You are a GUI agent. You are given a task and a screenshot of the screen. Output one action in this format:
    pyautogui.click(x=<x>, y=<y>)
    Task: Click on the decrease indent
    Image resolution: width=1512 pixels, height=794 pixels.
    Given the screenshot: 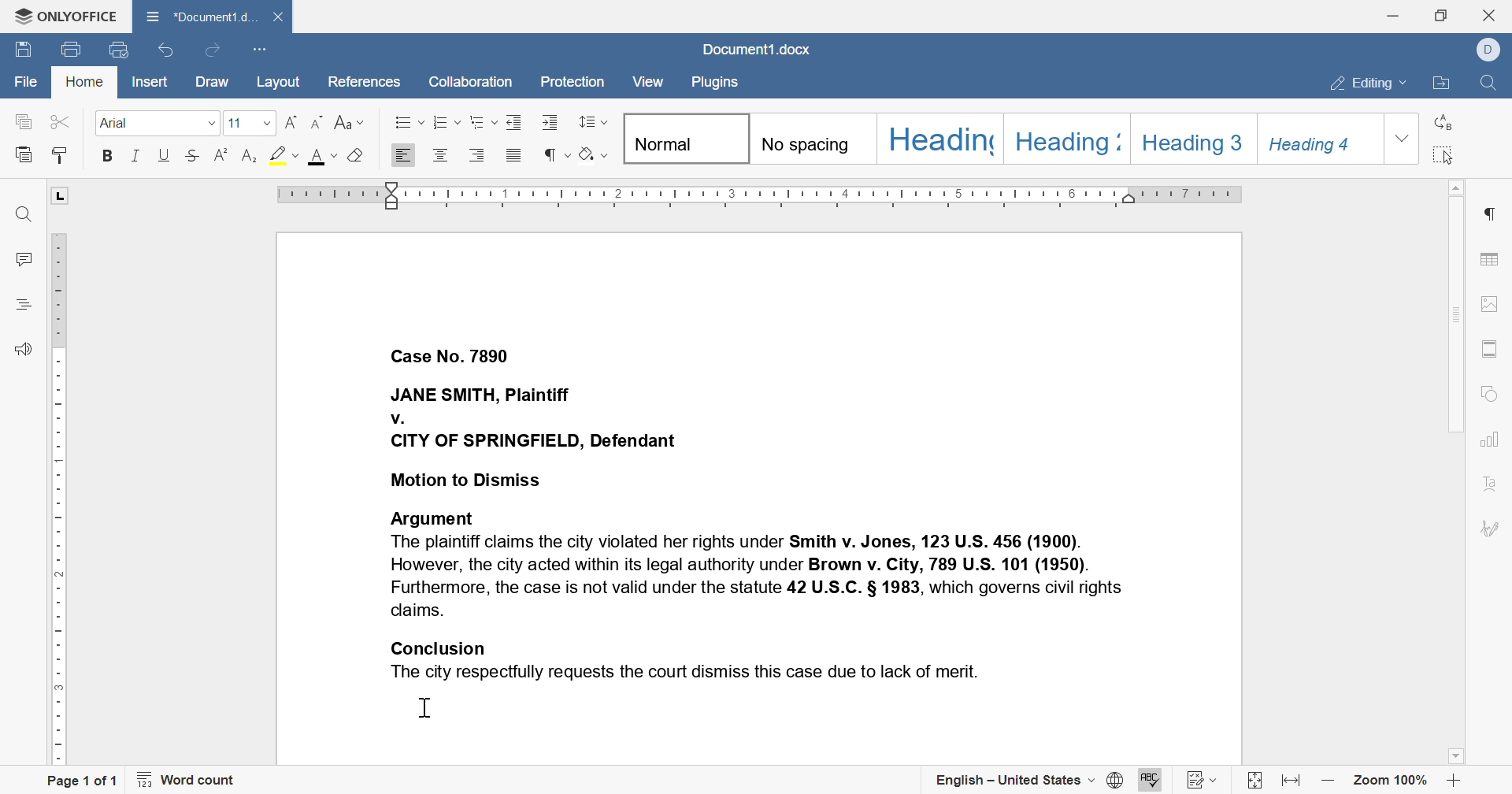 What is the action you would take?
    pyautogui.click(x=517, y=121)
    